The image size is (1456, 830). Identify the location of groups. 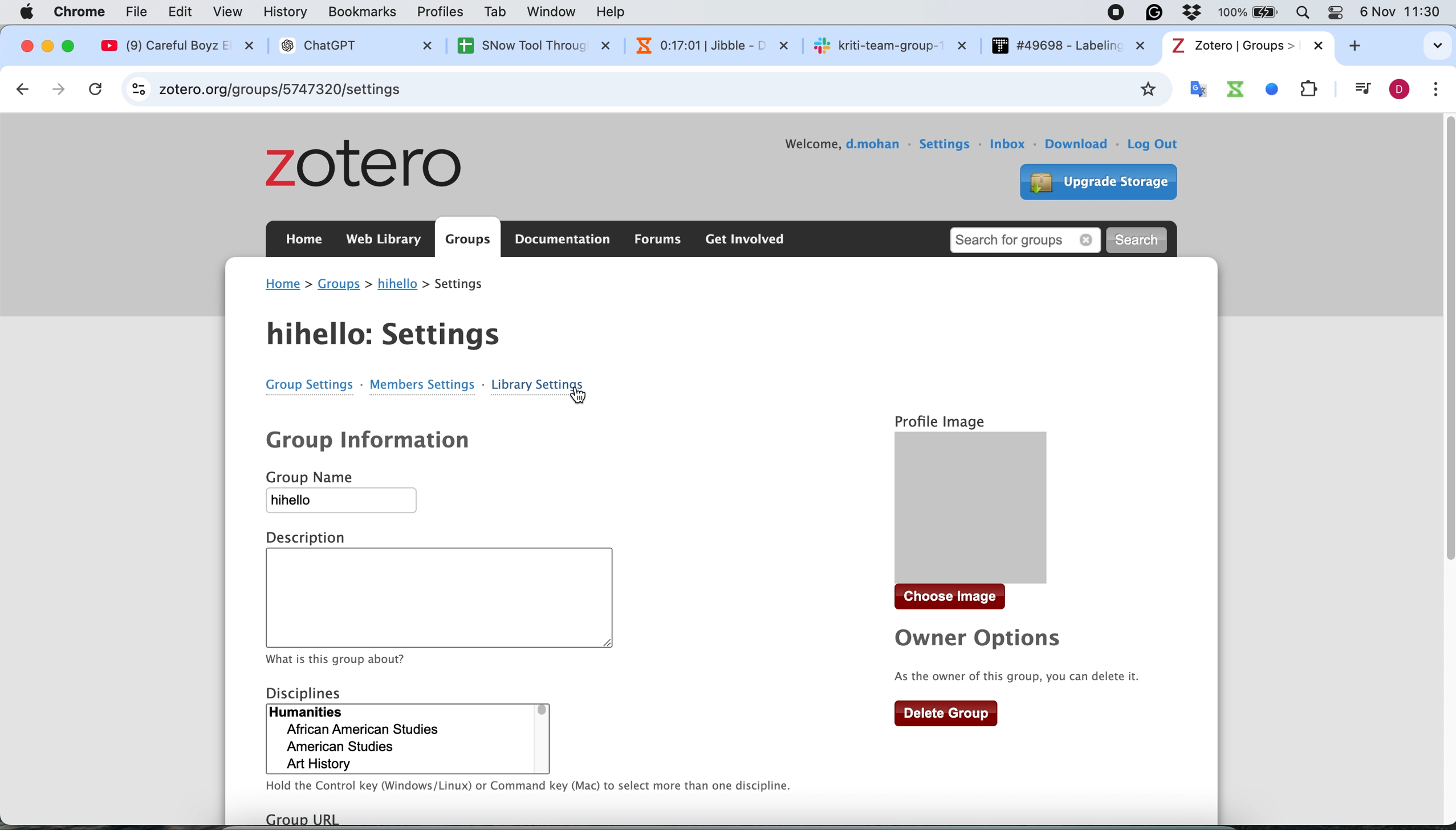
(468, 240).